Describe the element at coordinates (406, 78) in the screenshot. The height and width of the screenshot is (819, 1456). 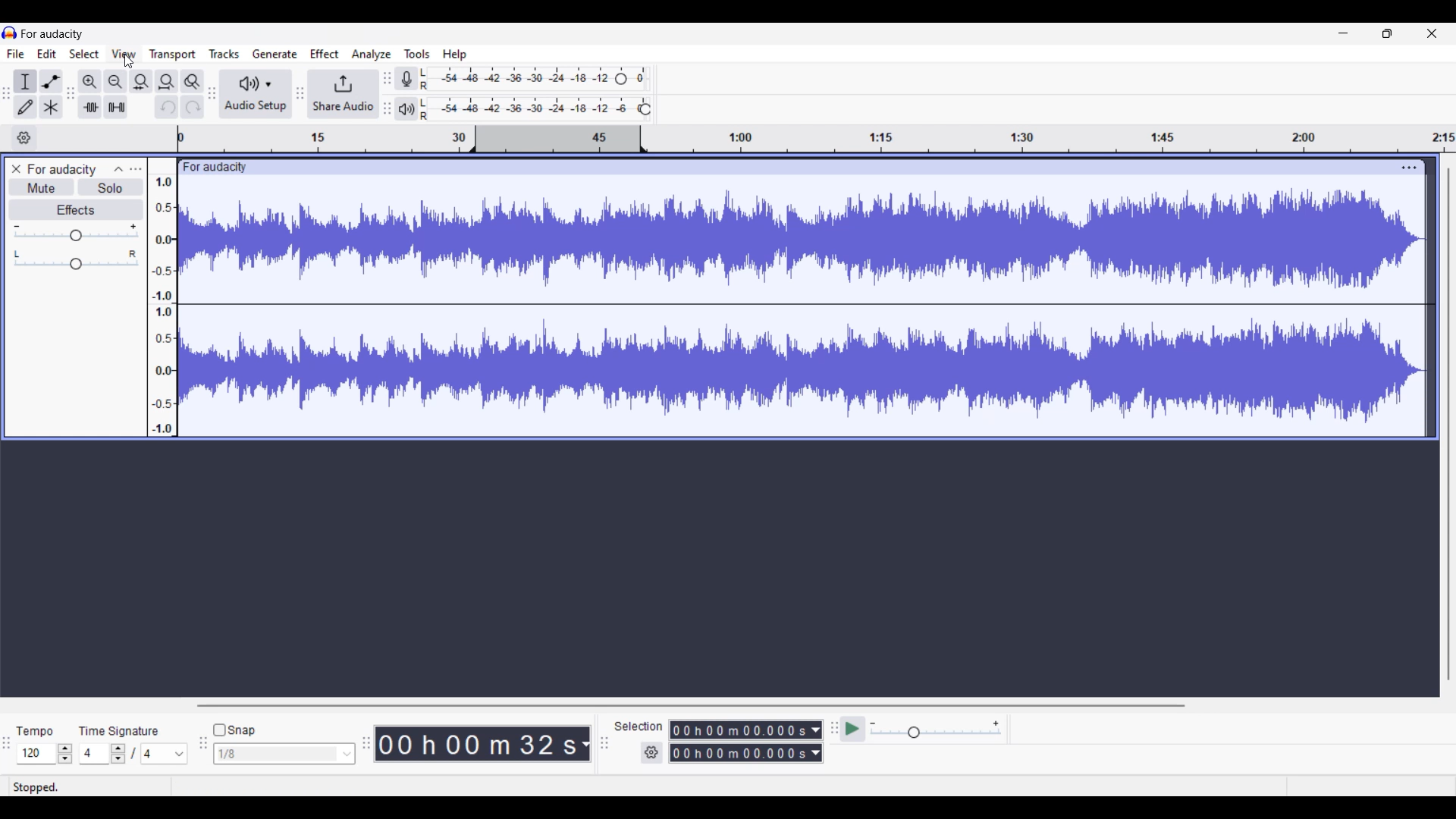
I see `Record meter` at that location.